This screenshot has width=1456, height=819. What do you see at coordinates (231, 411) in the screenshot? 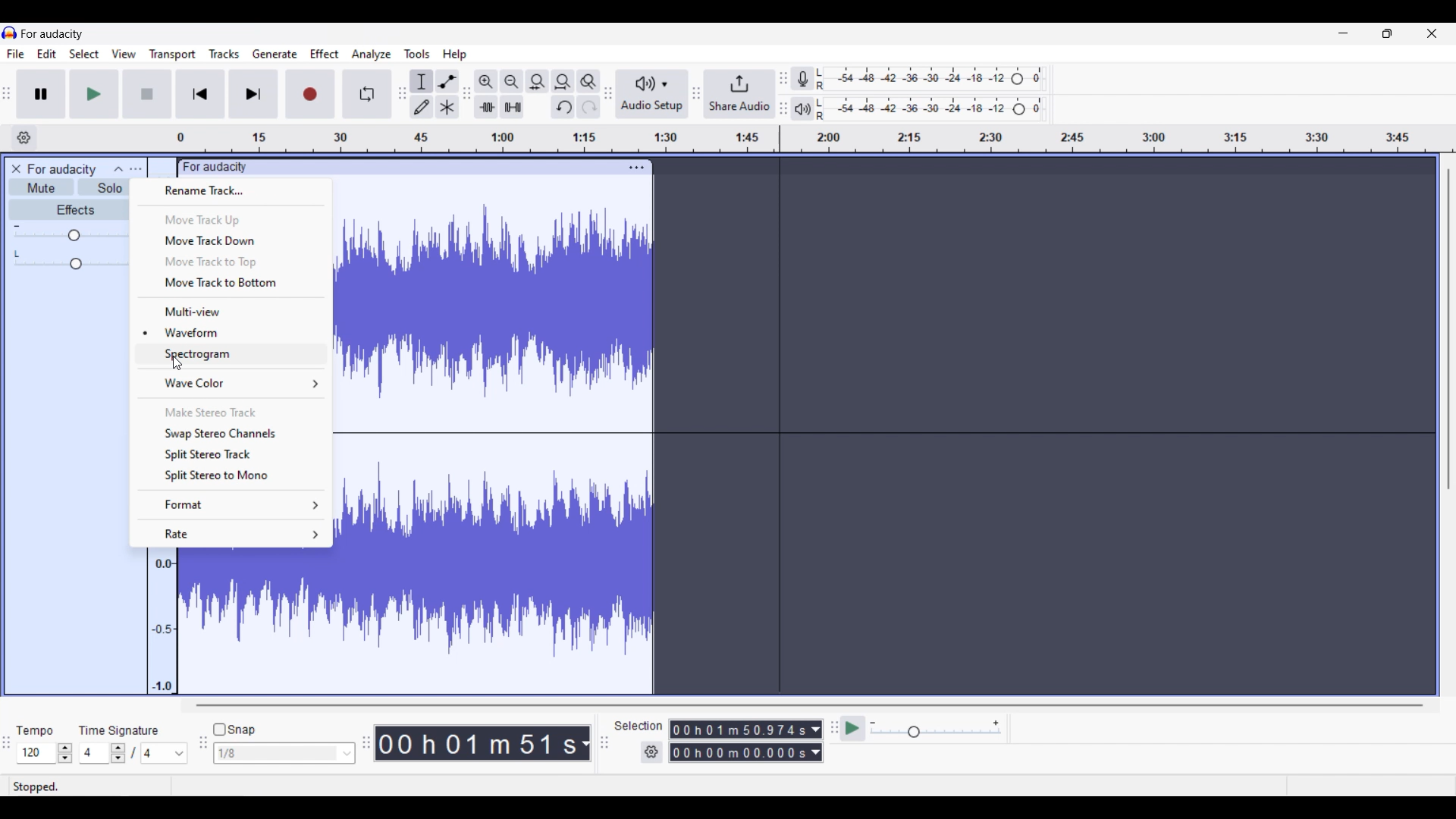
I see `Make stereo track` at bounding box center [231, 411].